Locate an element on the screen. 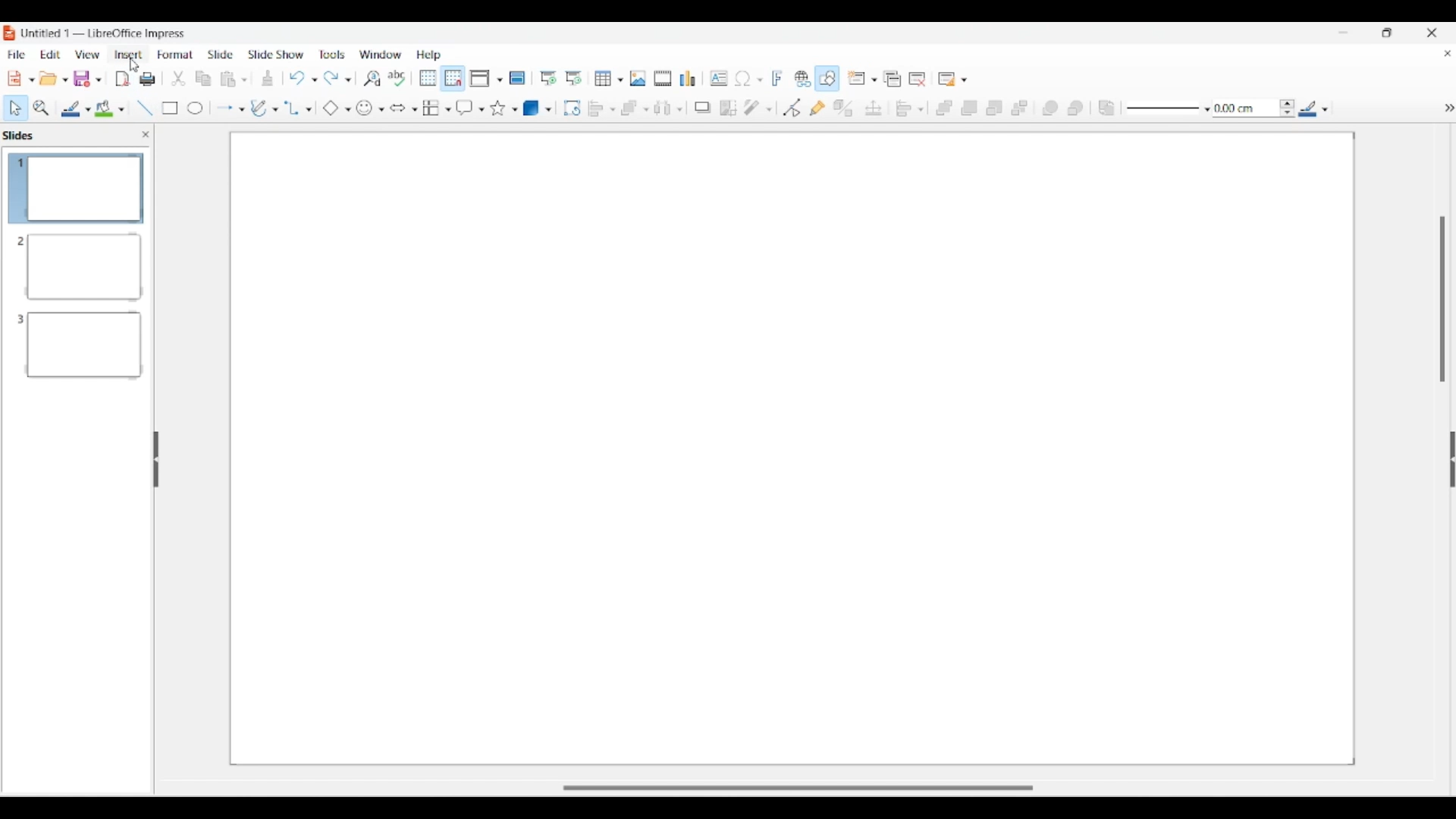 This screenshot has height=819, width=1456. Master slide is located at coordinates (517, 77).